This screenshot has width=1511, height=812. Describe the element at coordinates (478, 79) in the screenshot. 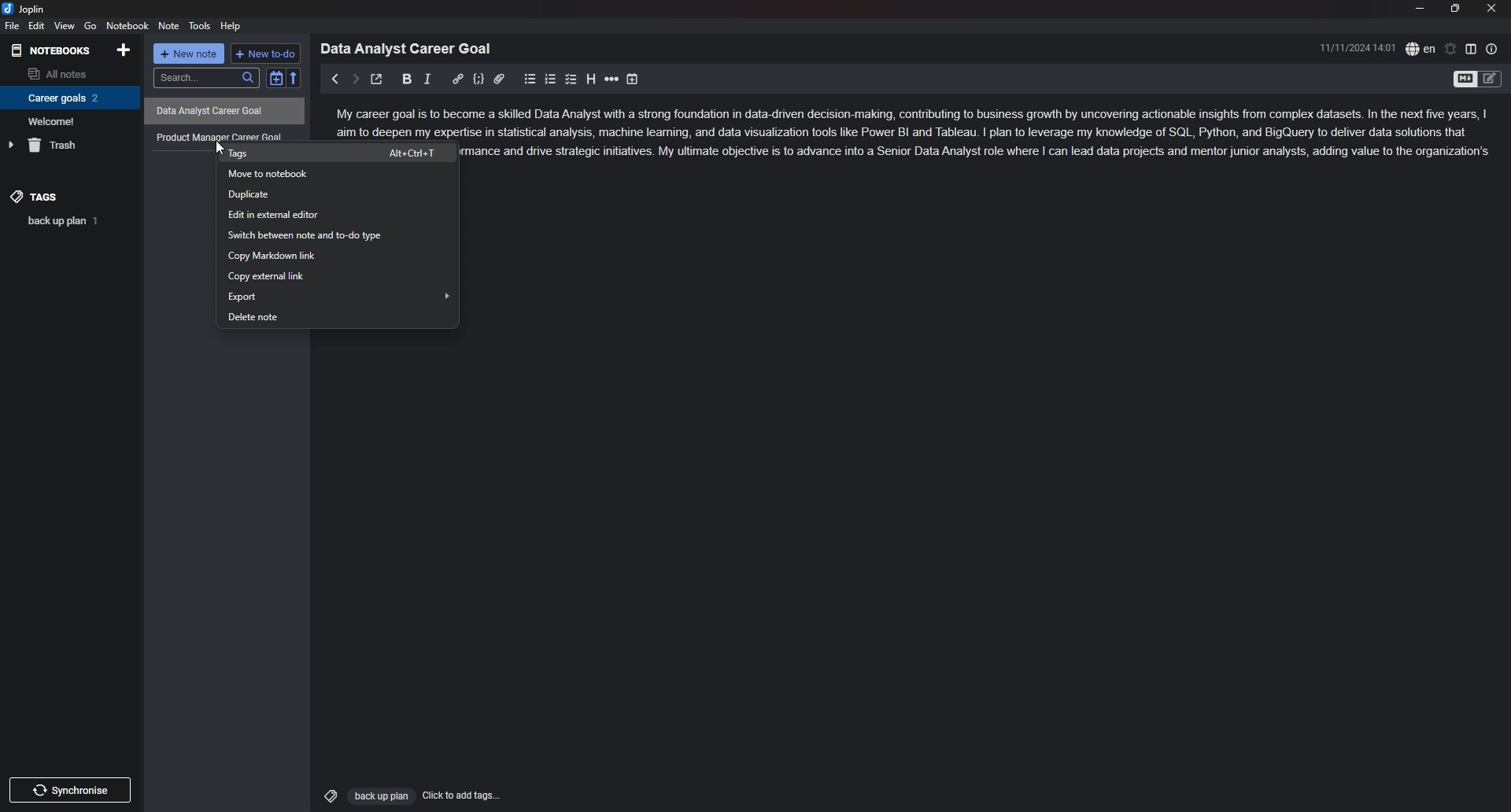

I see `code` at that location.